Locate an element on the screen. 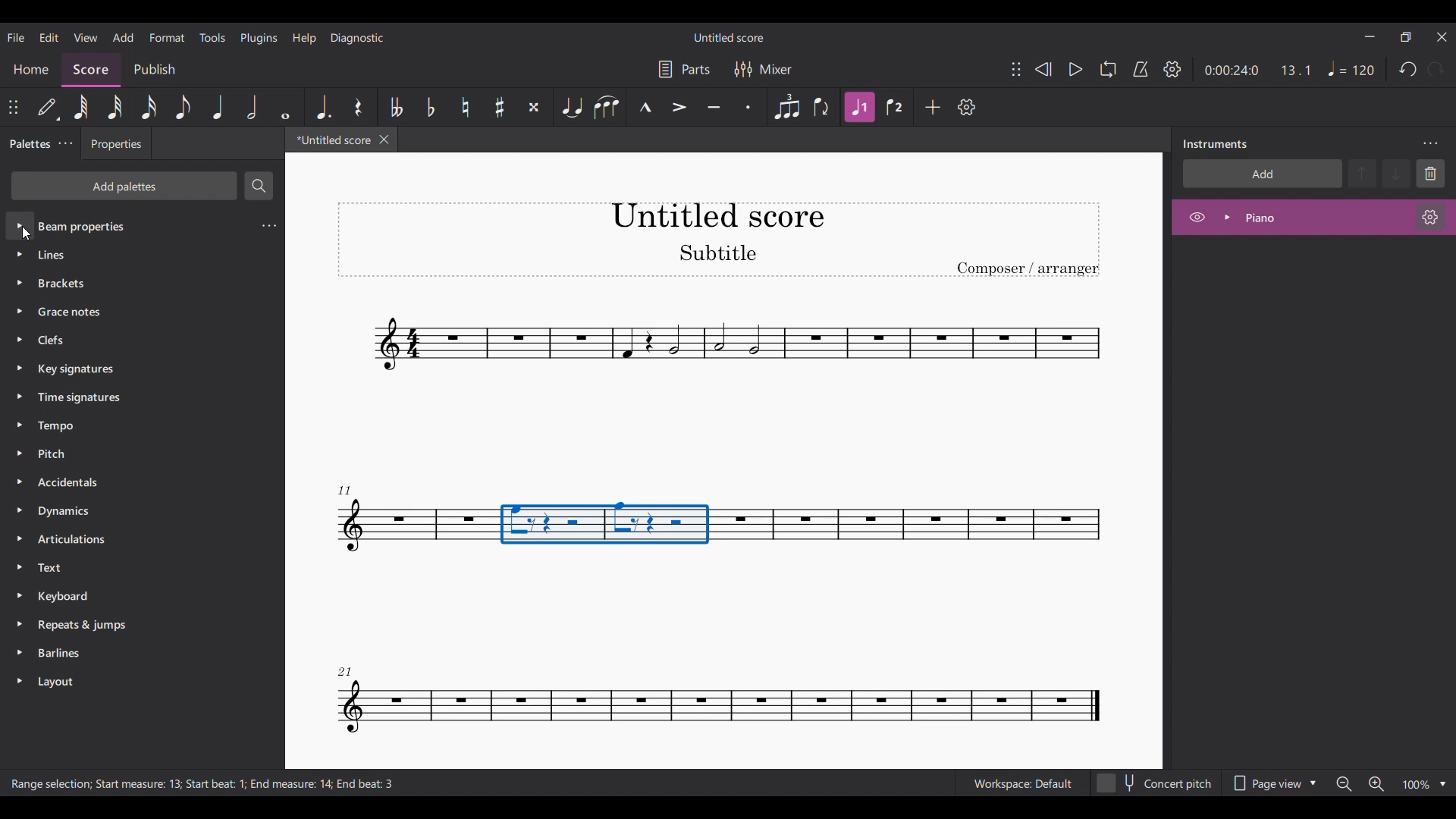 The image size is (1456, 819). Undo is located at coordinates (1409, 69).